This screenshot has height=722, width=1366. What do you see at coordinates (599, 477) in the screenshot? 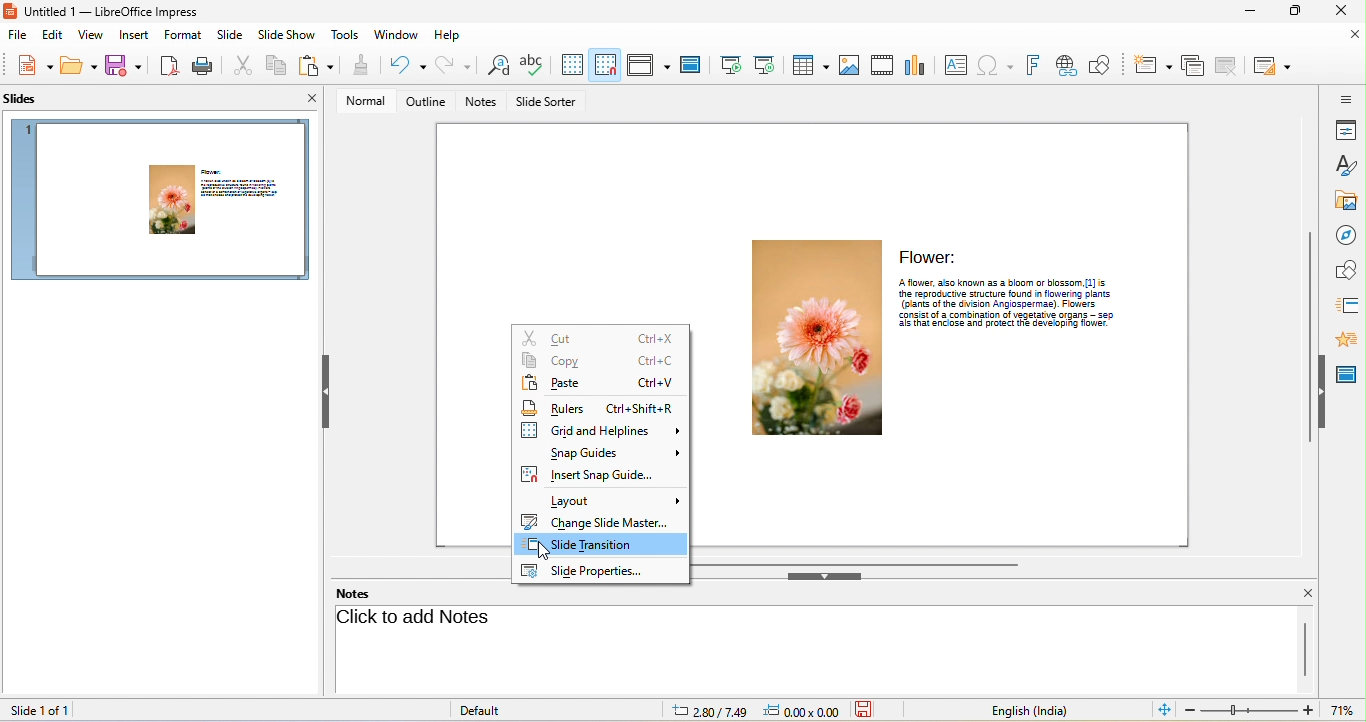
I see `insert snap guide` at bounding box center [599, 477].